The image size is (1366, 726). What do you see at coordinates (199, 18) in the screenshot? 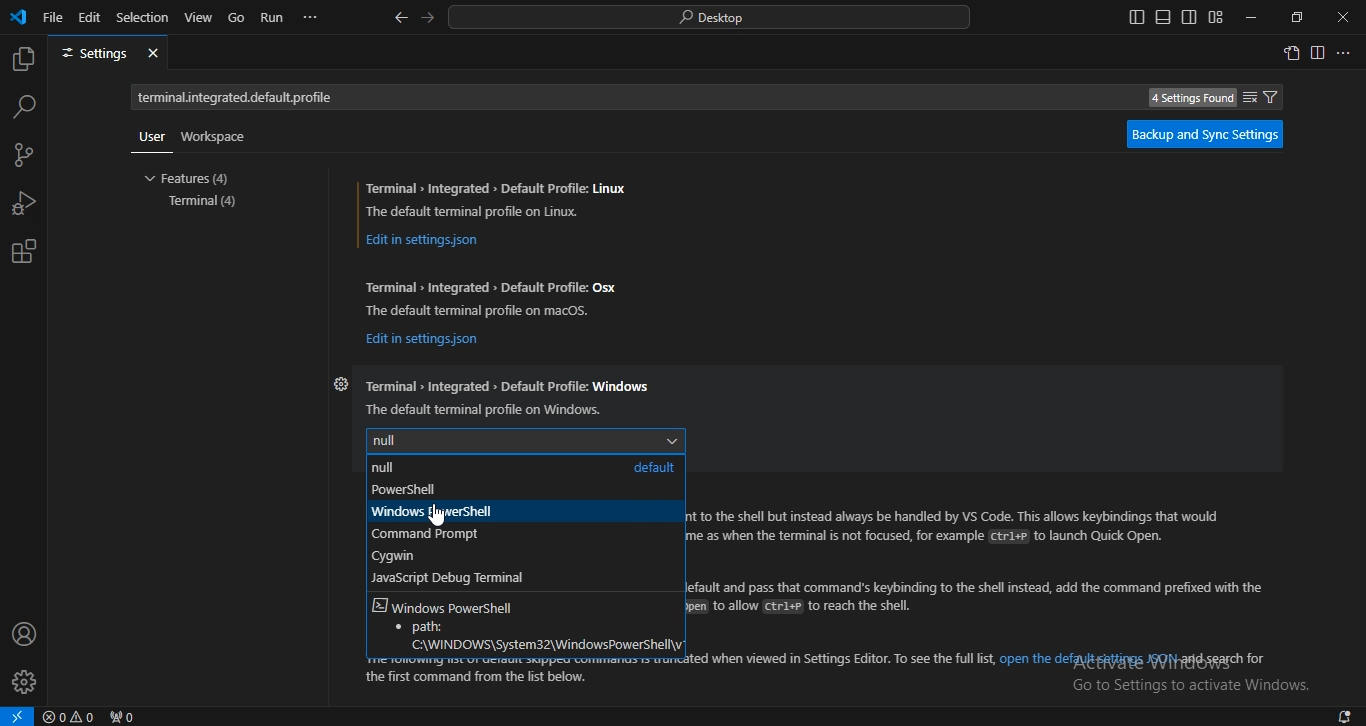
I see `view` at bounding box center [199, 18].